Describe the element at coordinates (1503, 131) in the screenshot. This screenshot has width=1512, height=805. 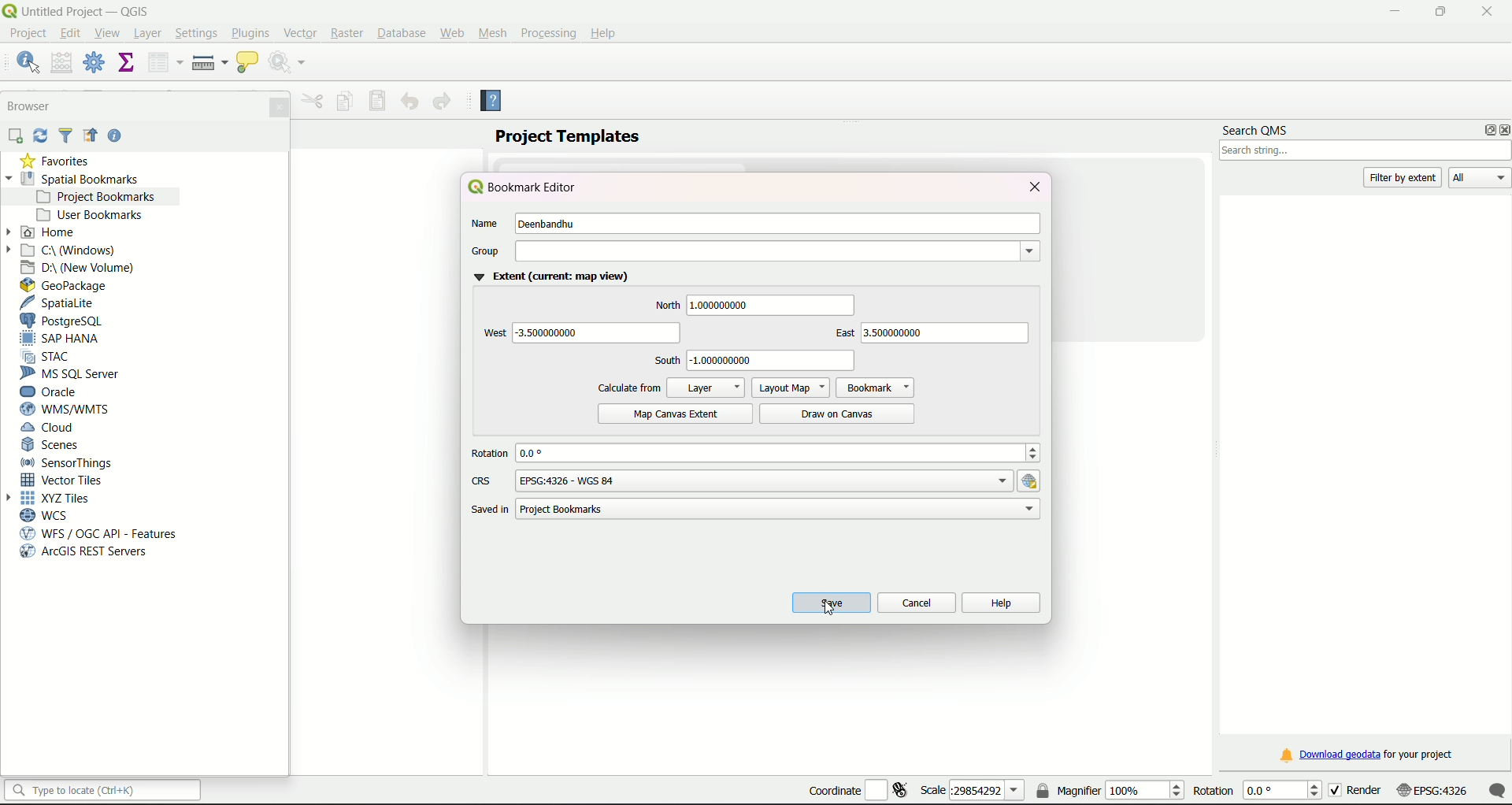
I see `close` at that location.